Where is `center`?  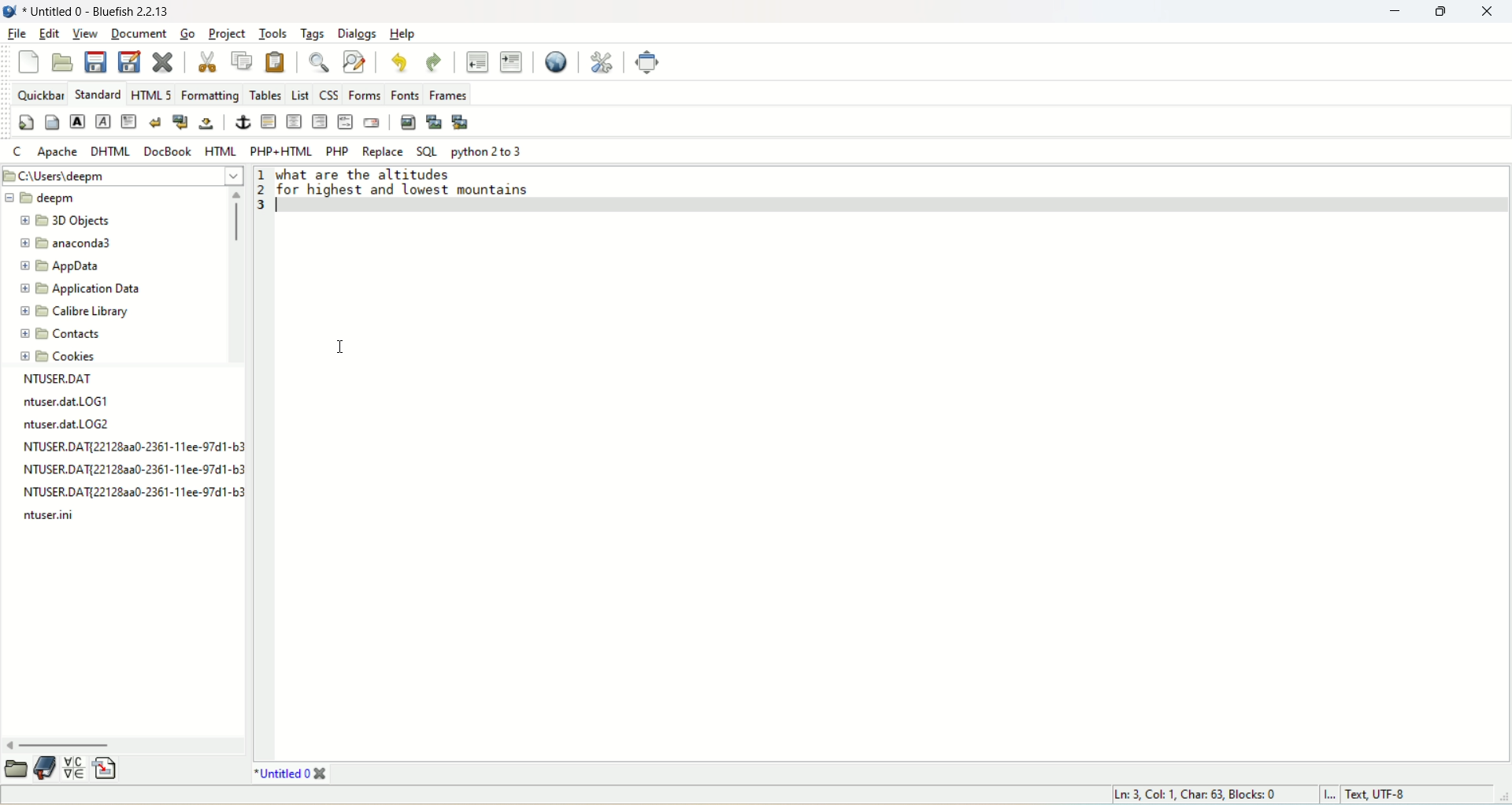
center is located at coordinates (292, 121).